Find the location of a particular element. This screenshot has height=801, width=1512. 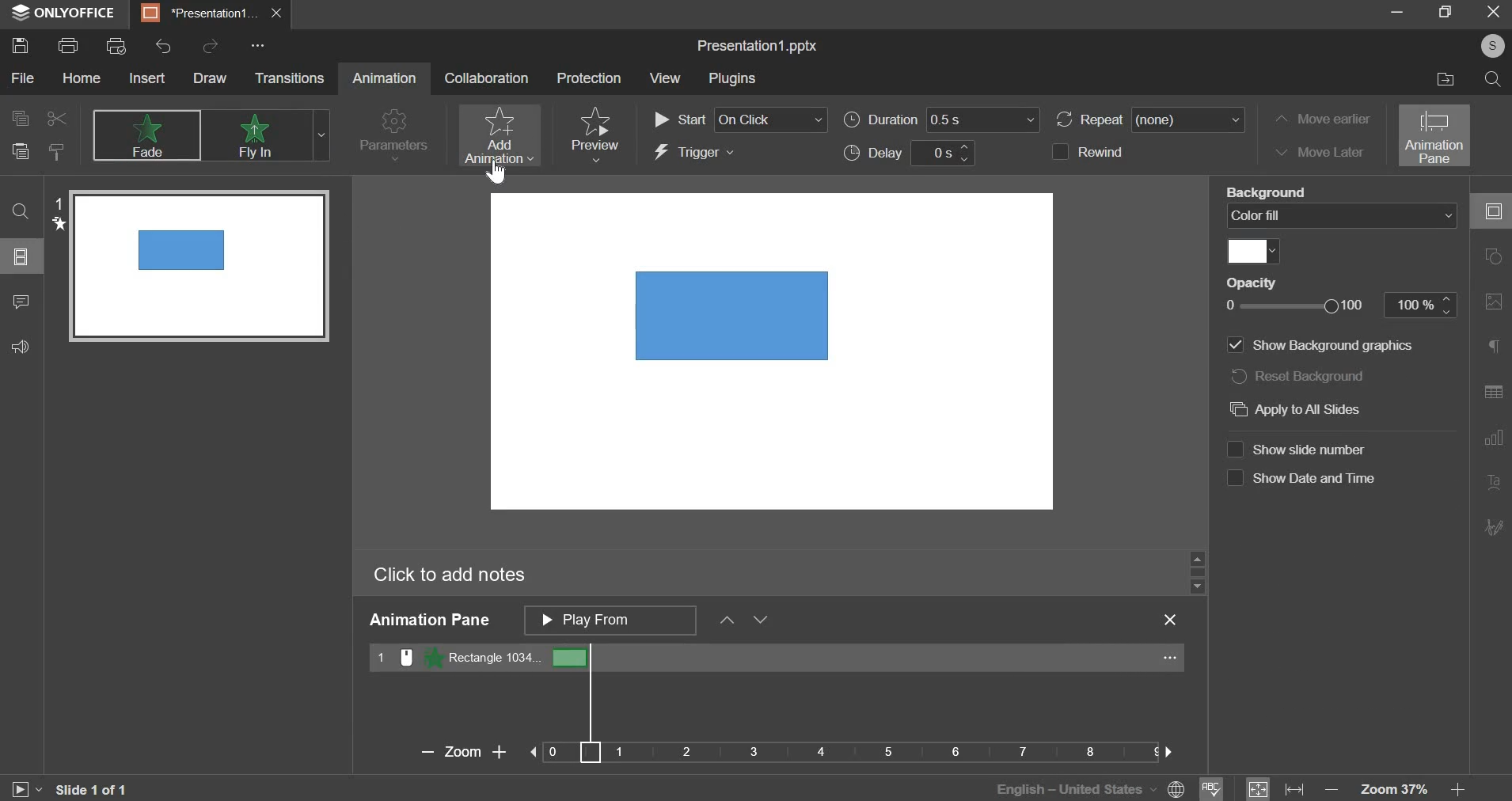

duration is located at coordinates (941, 117).